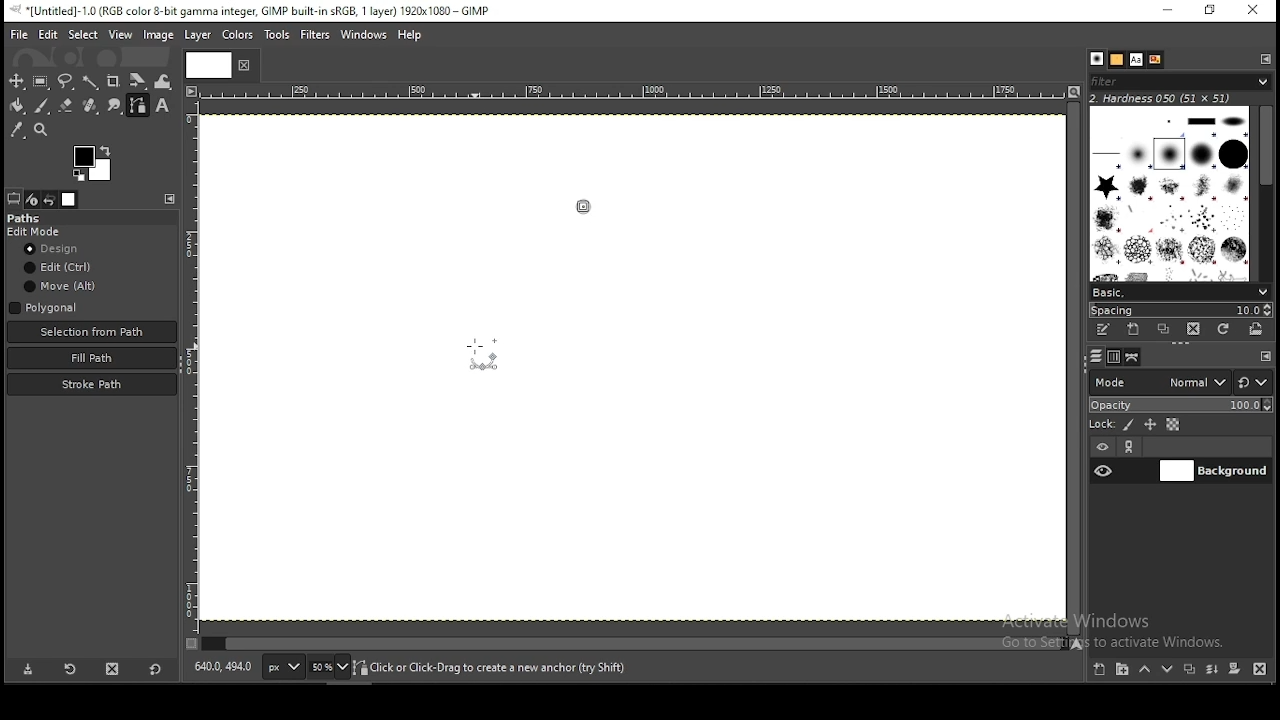 The image size is (1280, 720). Describe the element at coordinates (15, 107) in the screenshot. I see `paintbucket tool` at that location.